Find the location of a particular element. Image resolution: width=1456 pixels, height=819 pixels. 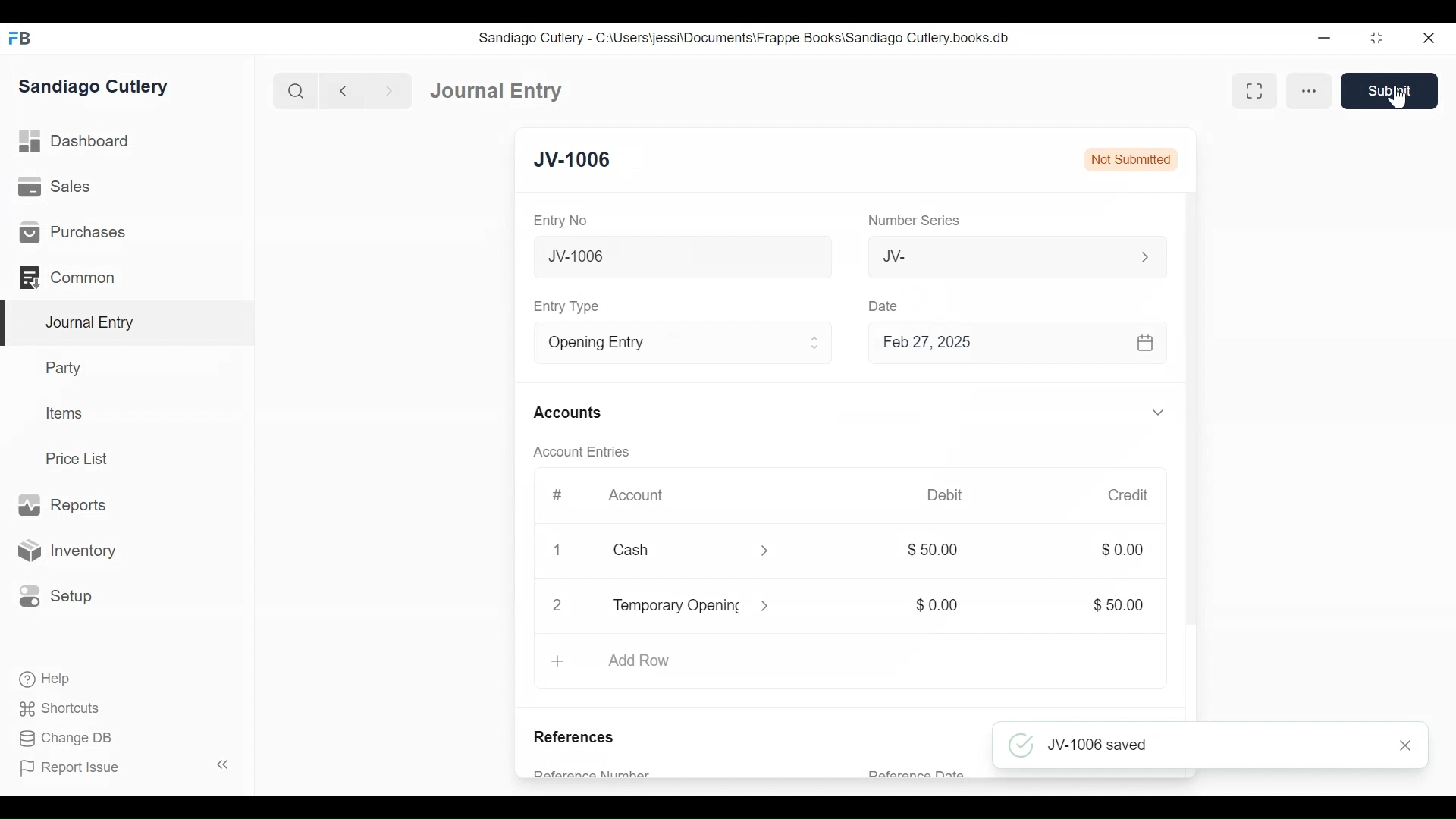

Accounts is located at coordinates (567, 413).